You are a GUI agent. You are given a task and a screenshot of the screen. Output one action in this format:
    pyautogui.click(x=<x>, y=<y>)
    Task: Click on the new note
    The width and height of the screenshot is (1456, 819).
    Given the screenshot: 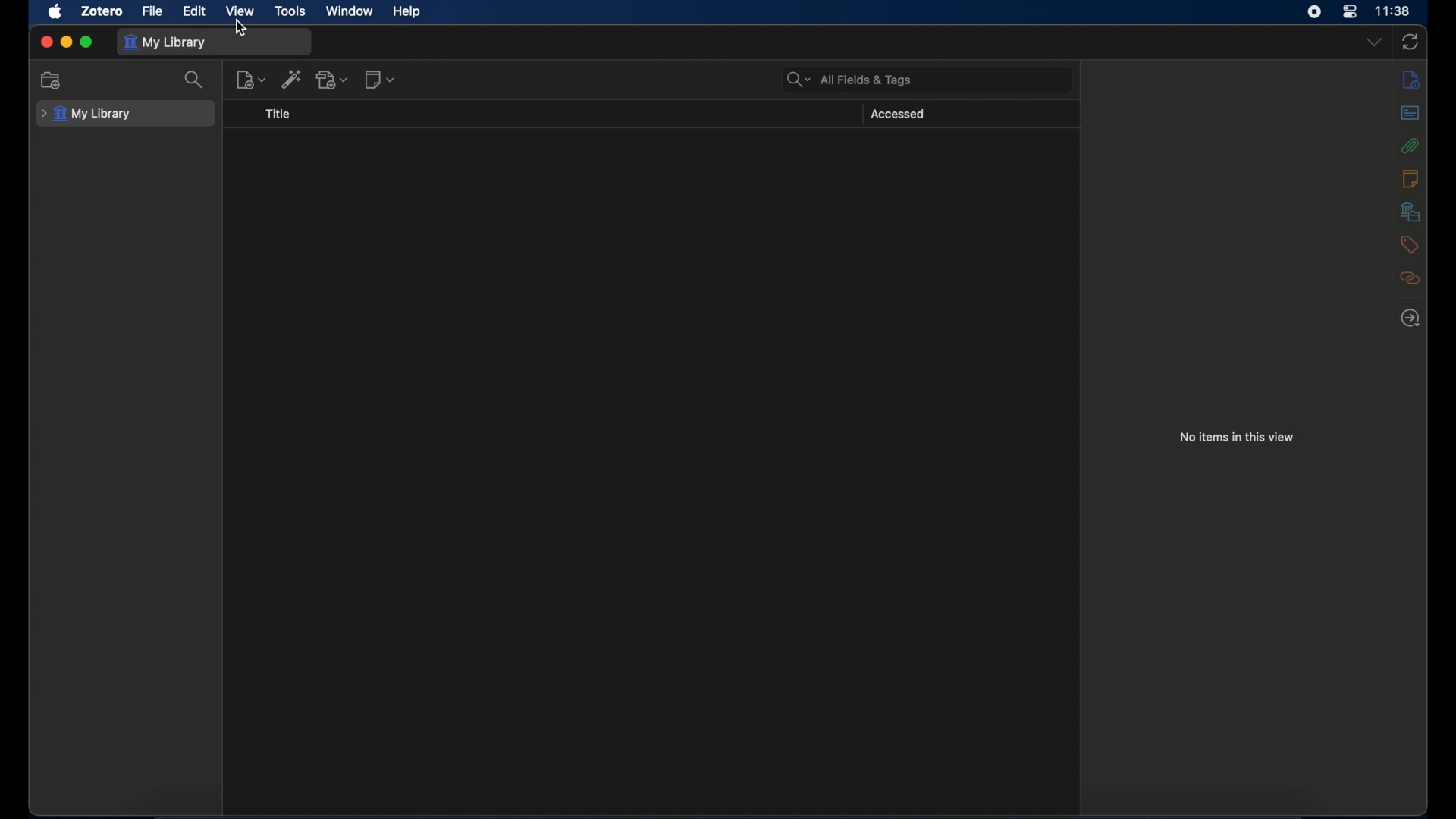 What is the action you would take?
    pyautogui.click(x=251, y=80)
    